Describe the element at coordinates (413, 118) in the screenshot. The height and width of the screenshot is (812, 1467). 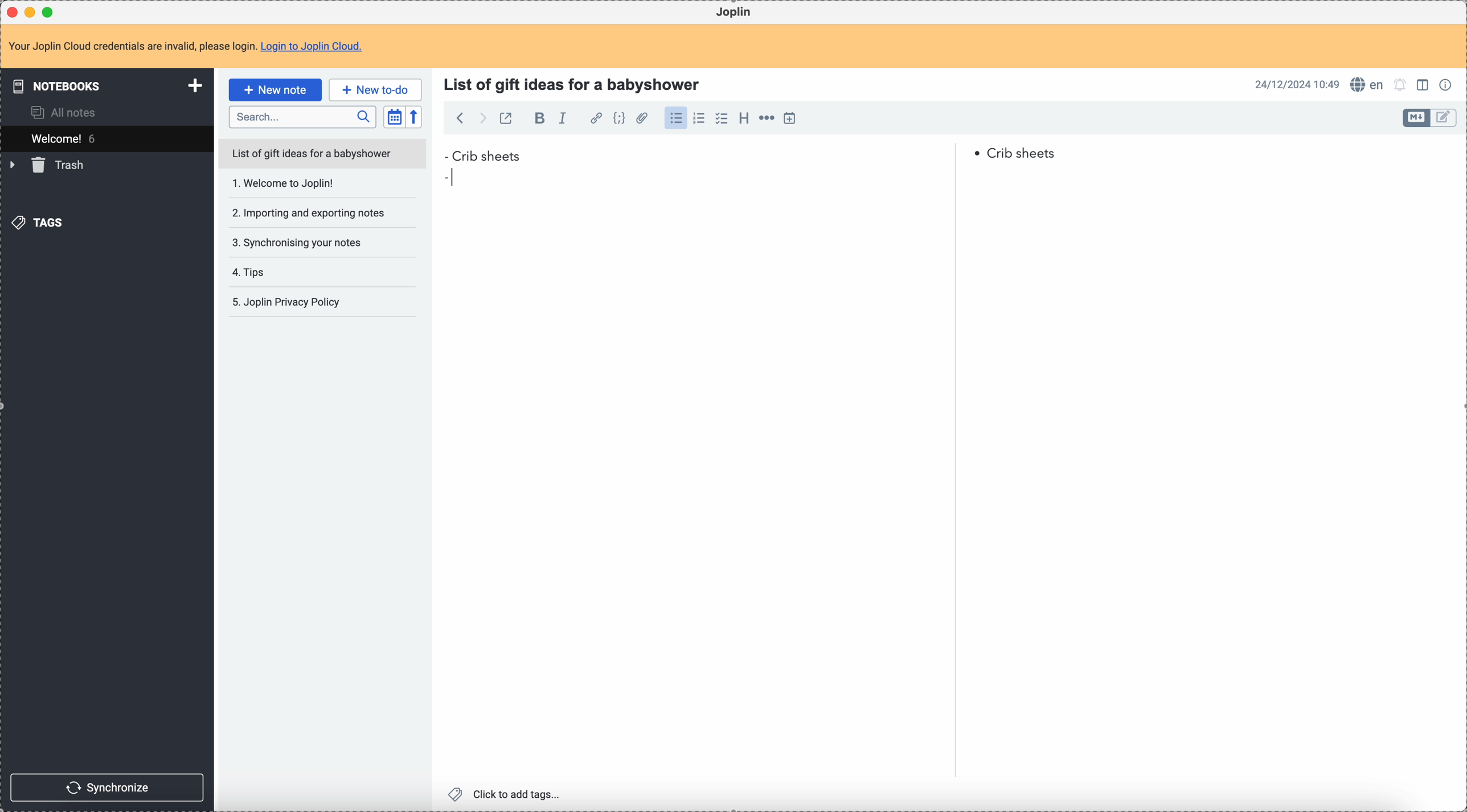
I see `reverse sort order` at that location.